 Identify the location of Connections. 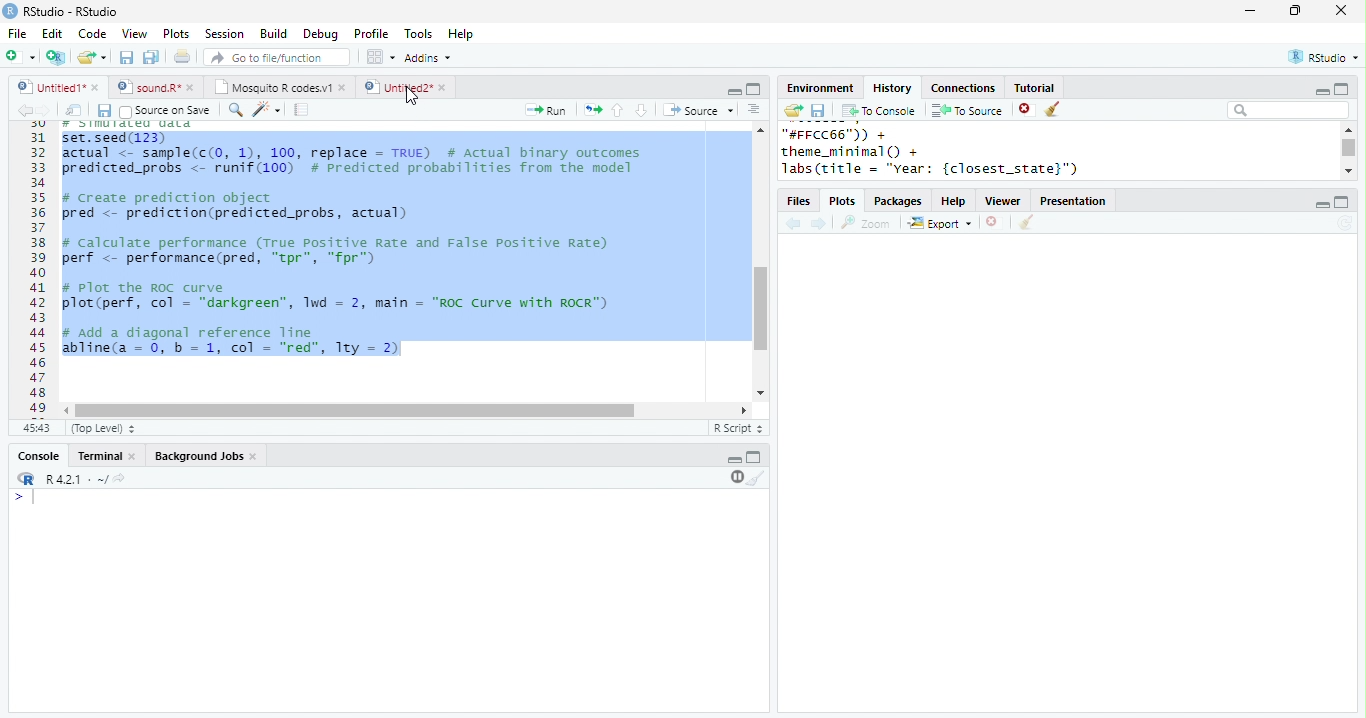
(962, 88).